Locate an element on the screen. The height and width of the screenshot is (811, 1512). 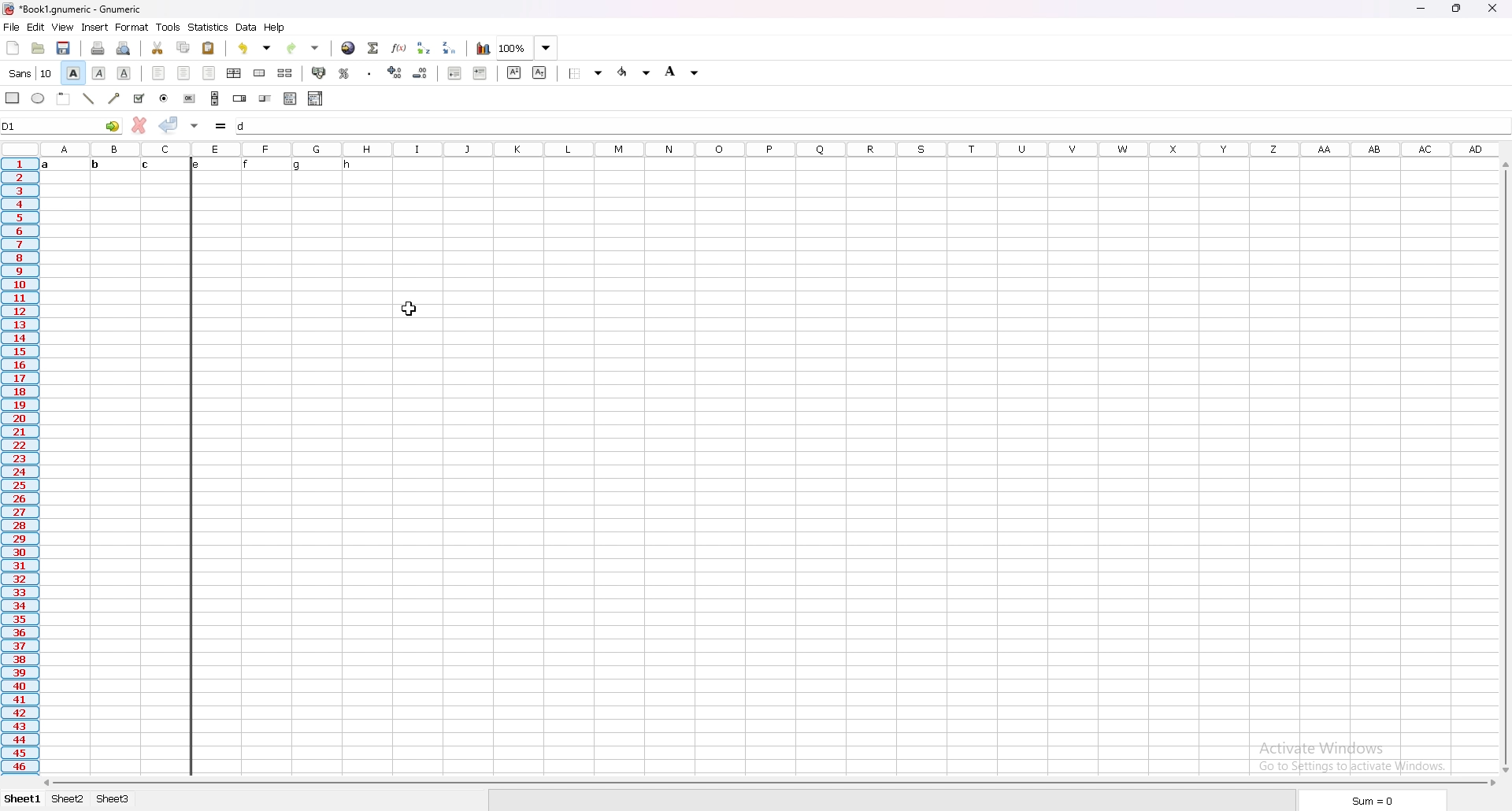
paste is located at coordinates (209, 48).